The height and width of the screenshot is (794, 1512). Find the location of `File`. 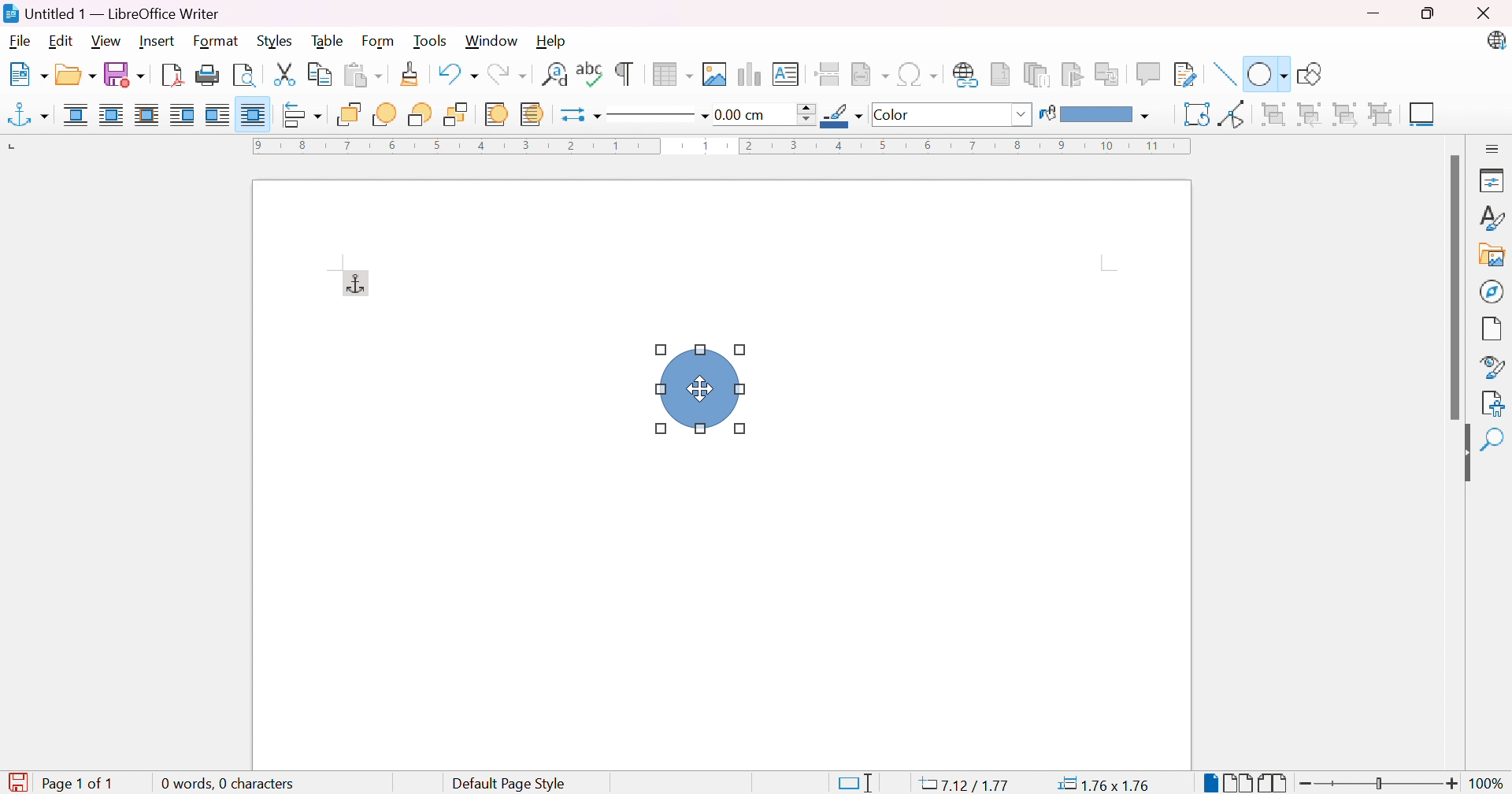

File is located at coordinates (20, 43).